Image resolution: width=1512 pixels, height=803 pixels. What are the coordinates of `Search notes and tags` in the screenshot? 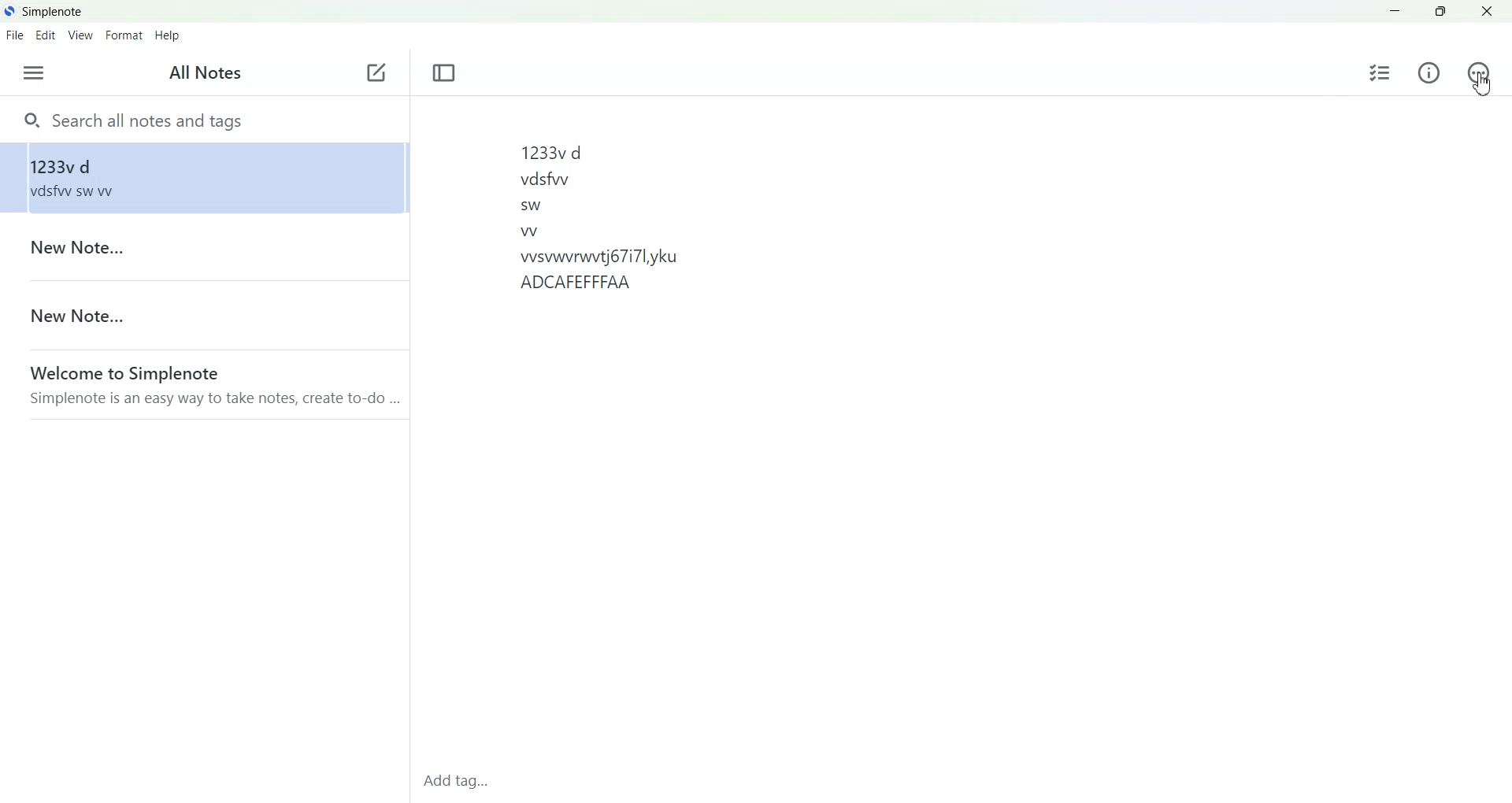 It's located at (204, 119).